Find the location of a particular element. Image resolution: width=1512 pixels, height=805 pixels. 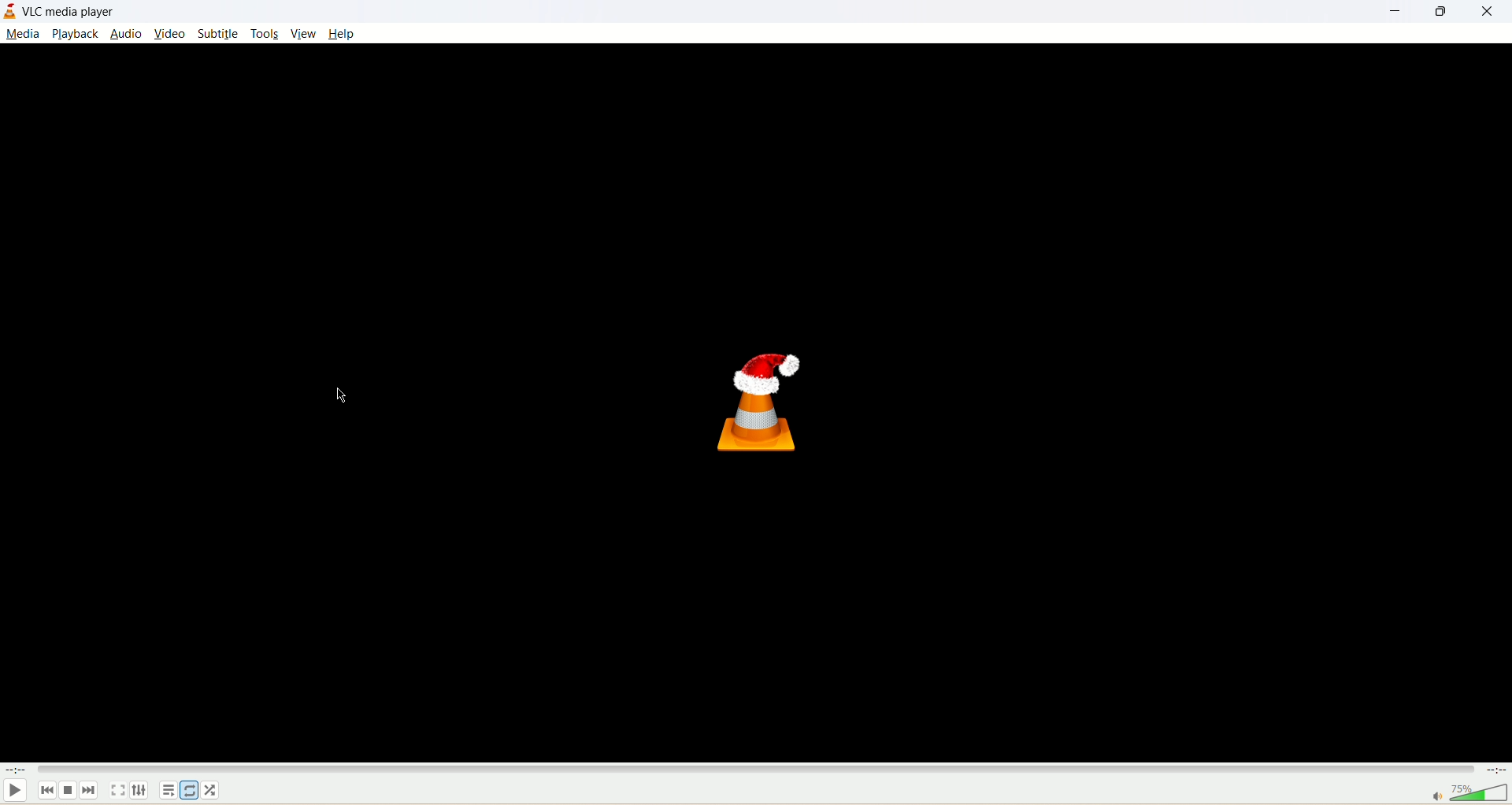

media is located at coordinates (24, 33).